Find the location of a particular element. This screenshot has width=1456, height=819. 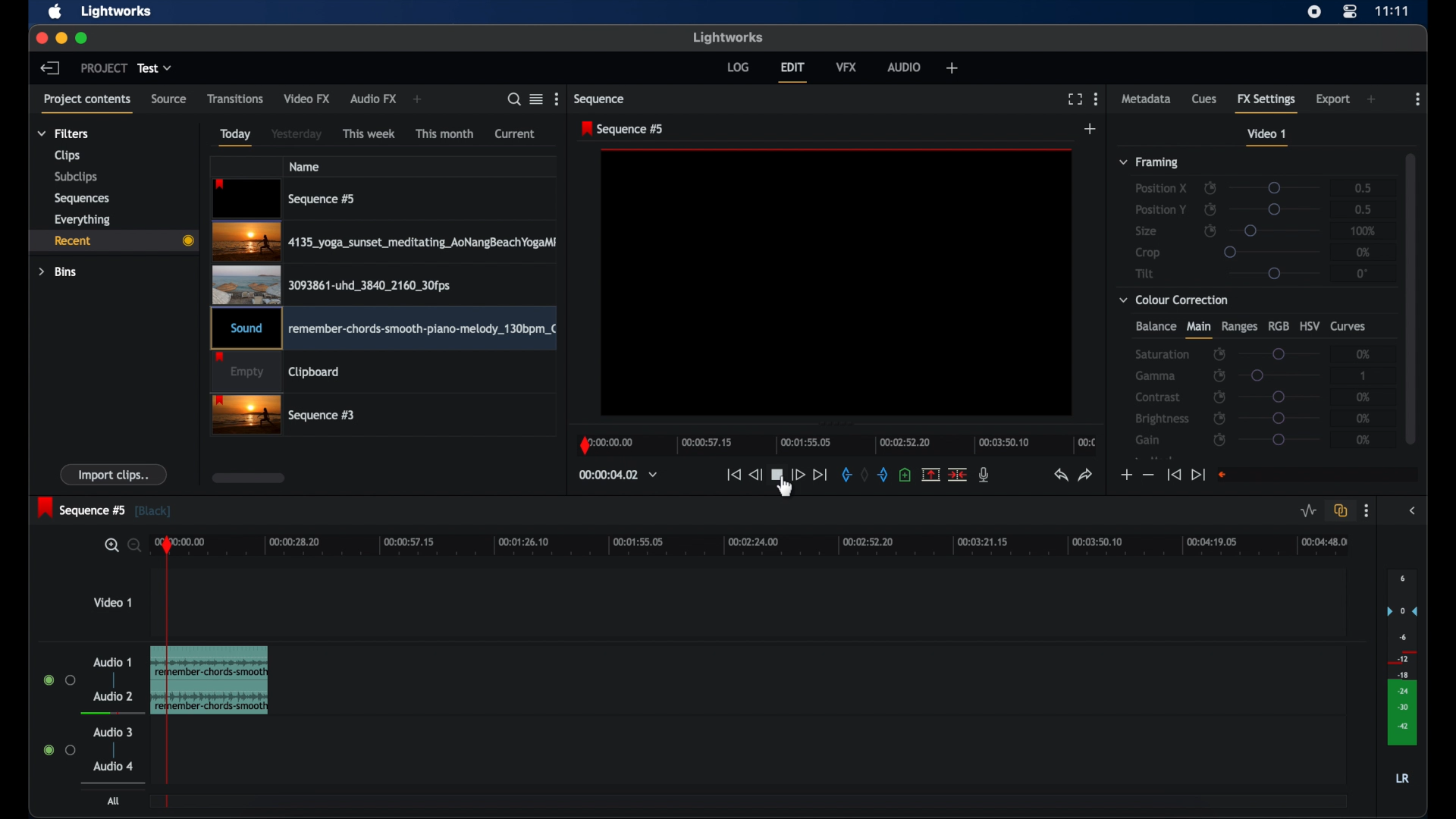

0 is located at coordinates (1362, 273).